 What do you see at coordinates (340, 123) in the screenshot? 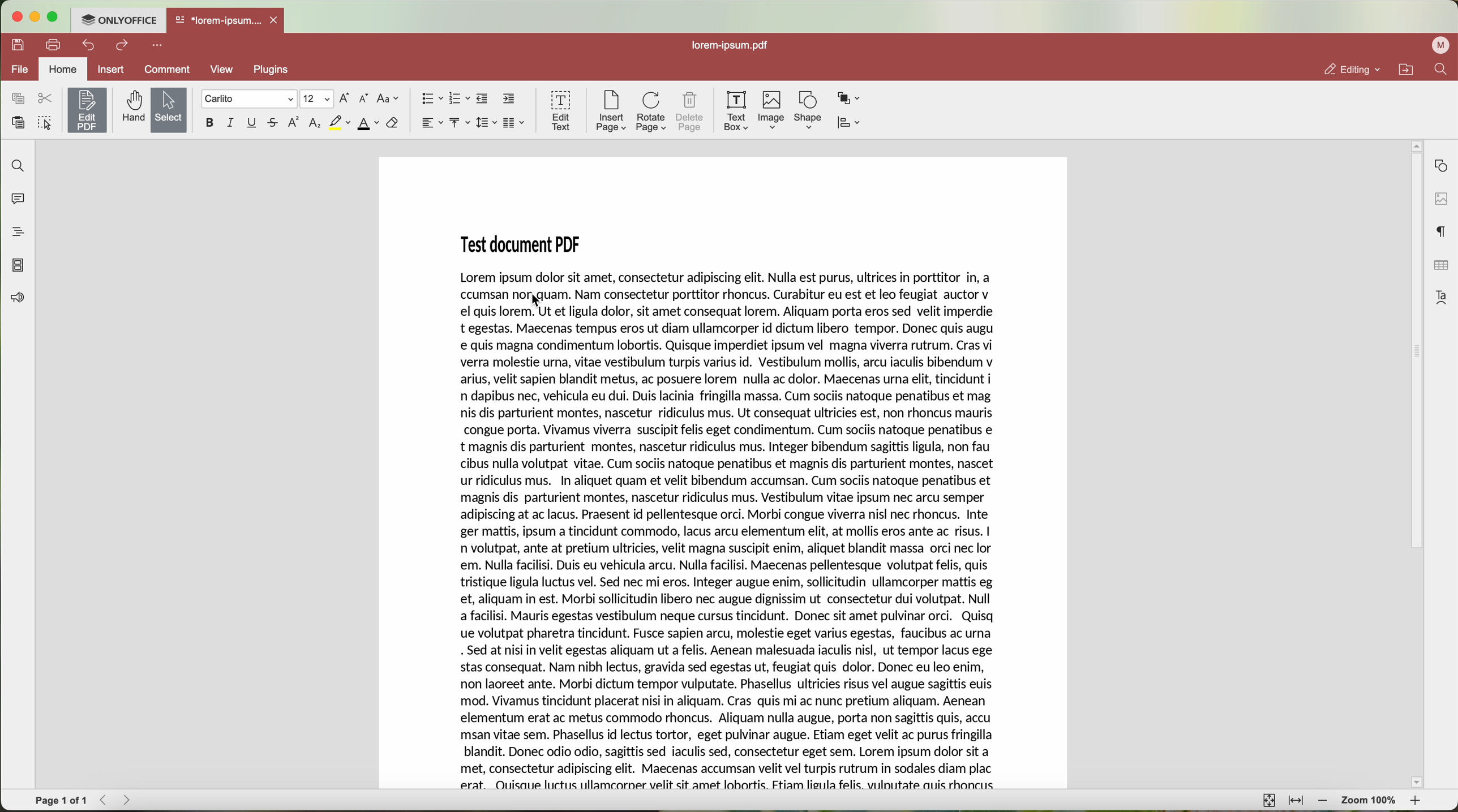
I see `highlight color` at bounding box center [340, 123].